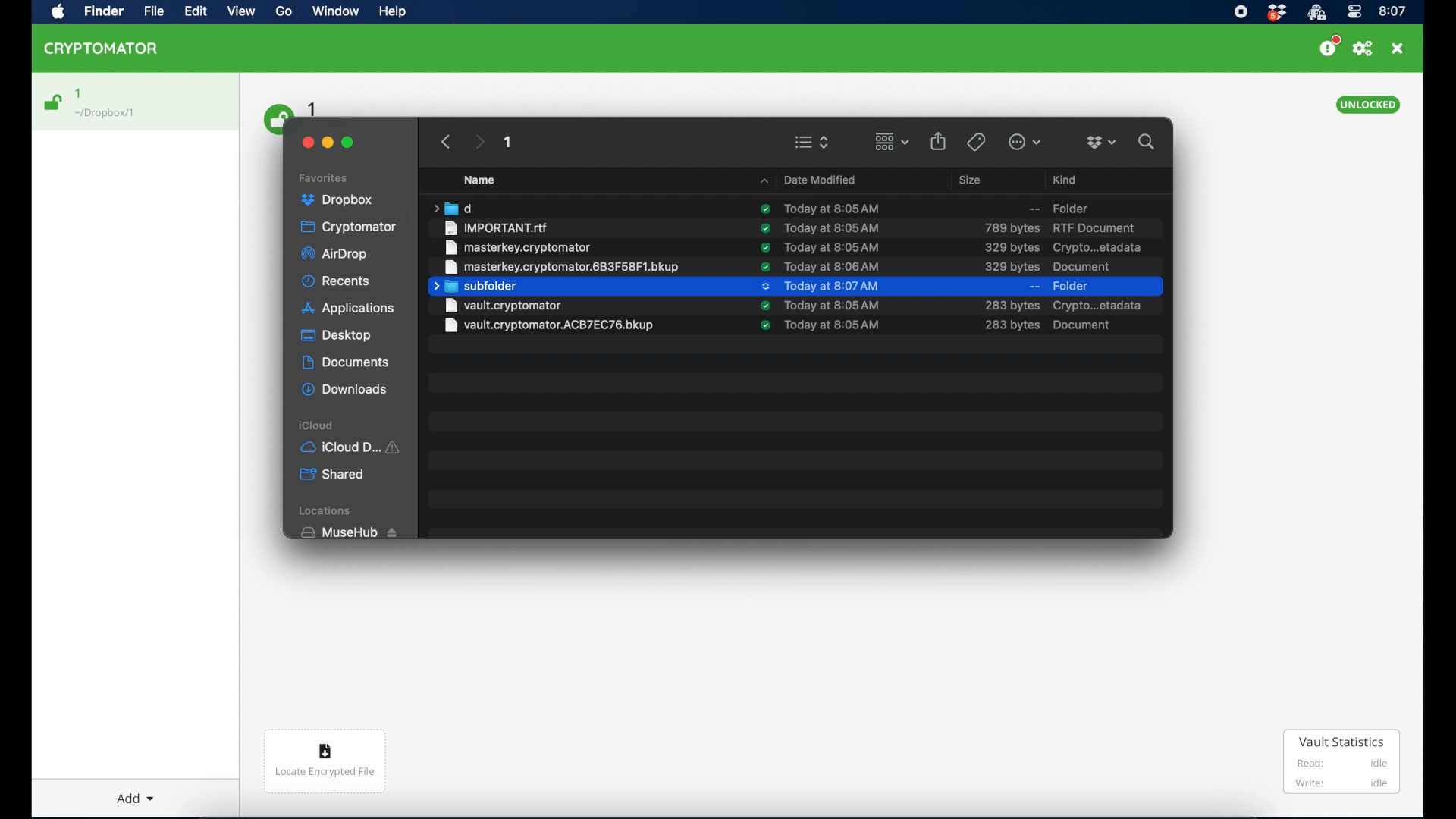  What do you see at coordinates (54, 102) in the screenshot?
I see `unlocked icon` at bounding box center [54, 102].